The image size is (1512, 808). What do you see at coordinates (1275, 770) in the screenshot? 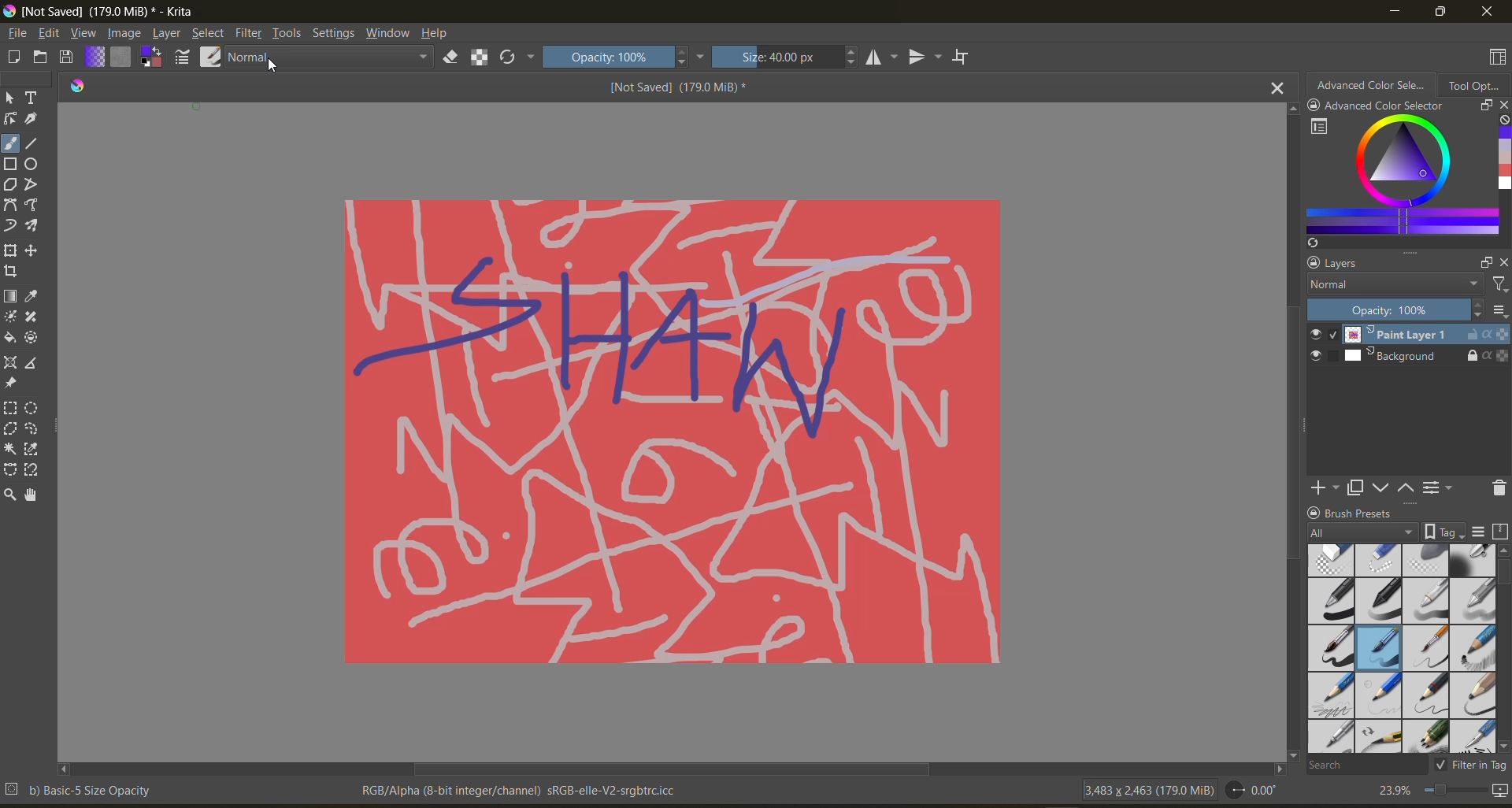
I see `scroll right` at bounding box center [1275, 770].